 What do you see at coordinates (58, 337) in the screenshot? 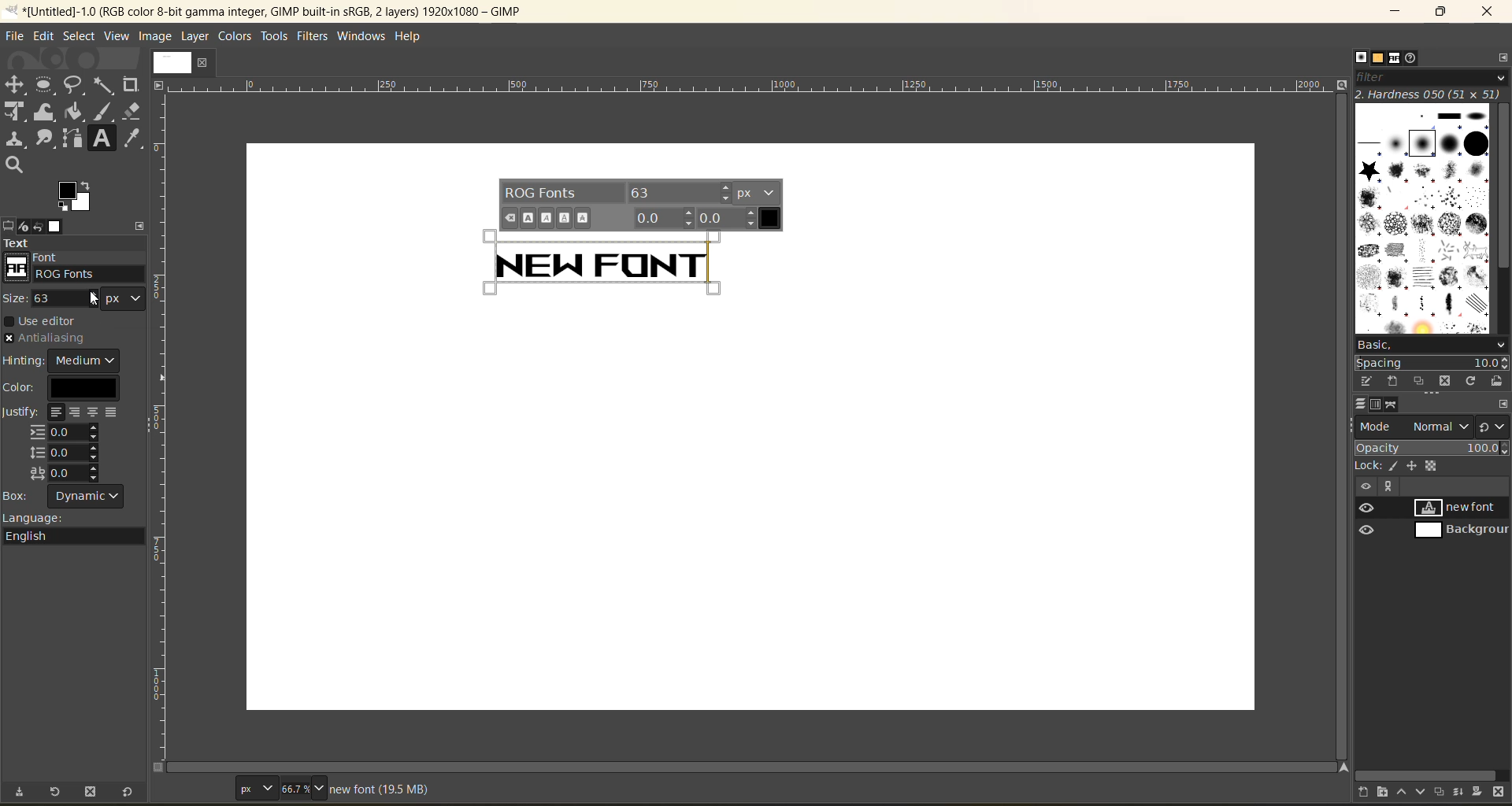
I see `anitaliasing` at bounding box center [58, 337].